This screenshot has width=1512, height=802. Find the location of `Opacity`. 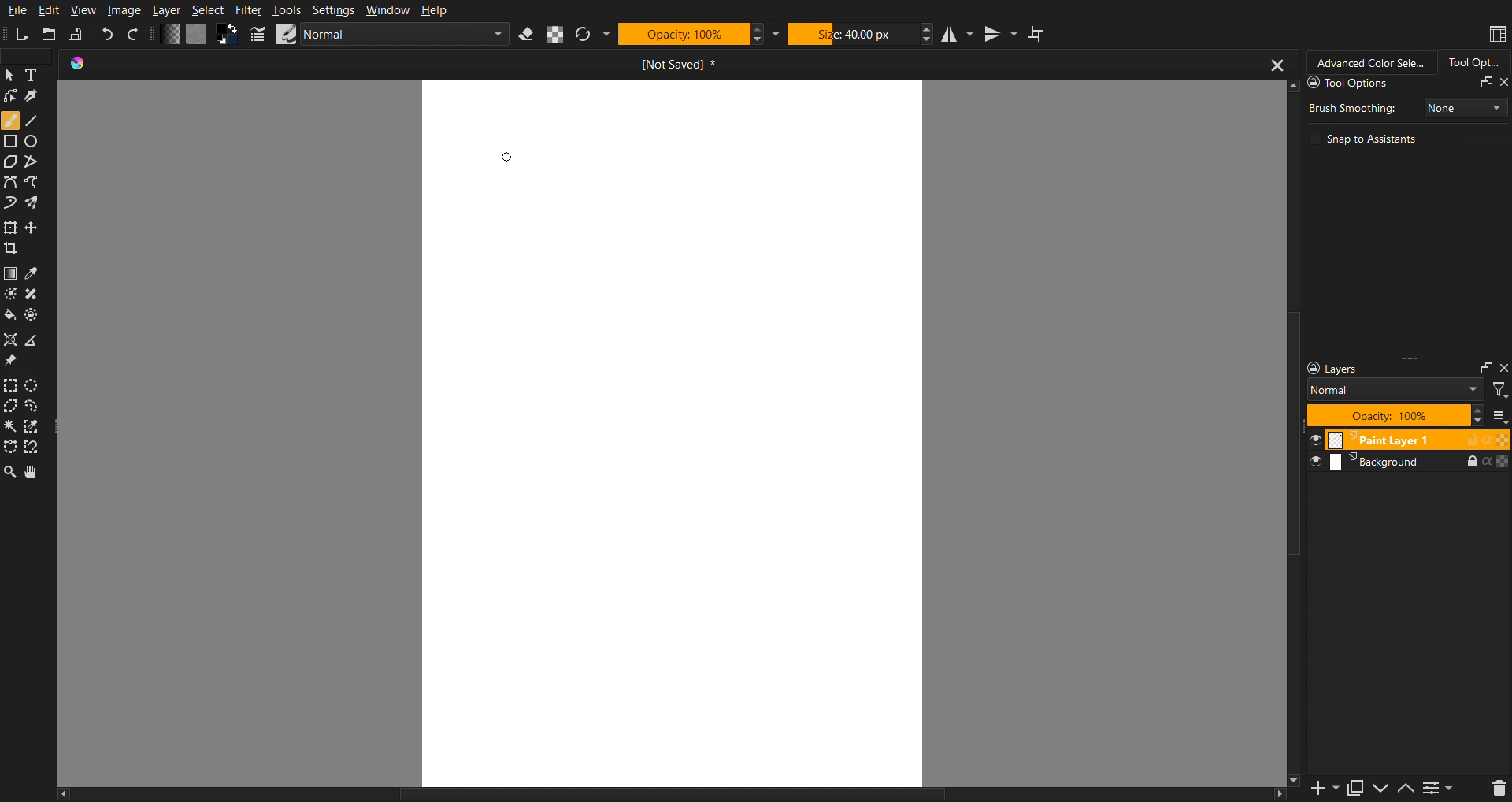

Opacity is located at coordinates (1389, 414).